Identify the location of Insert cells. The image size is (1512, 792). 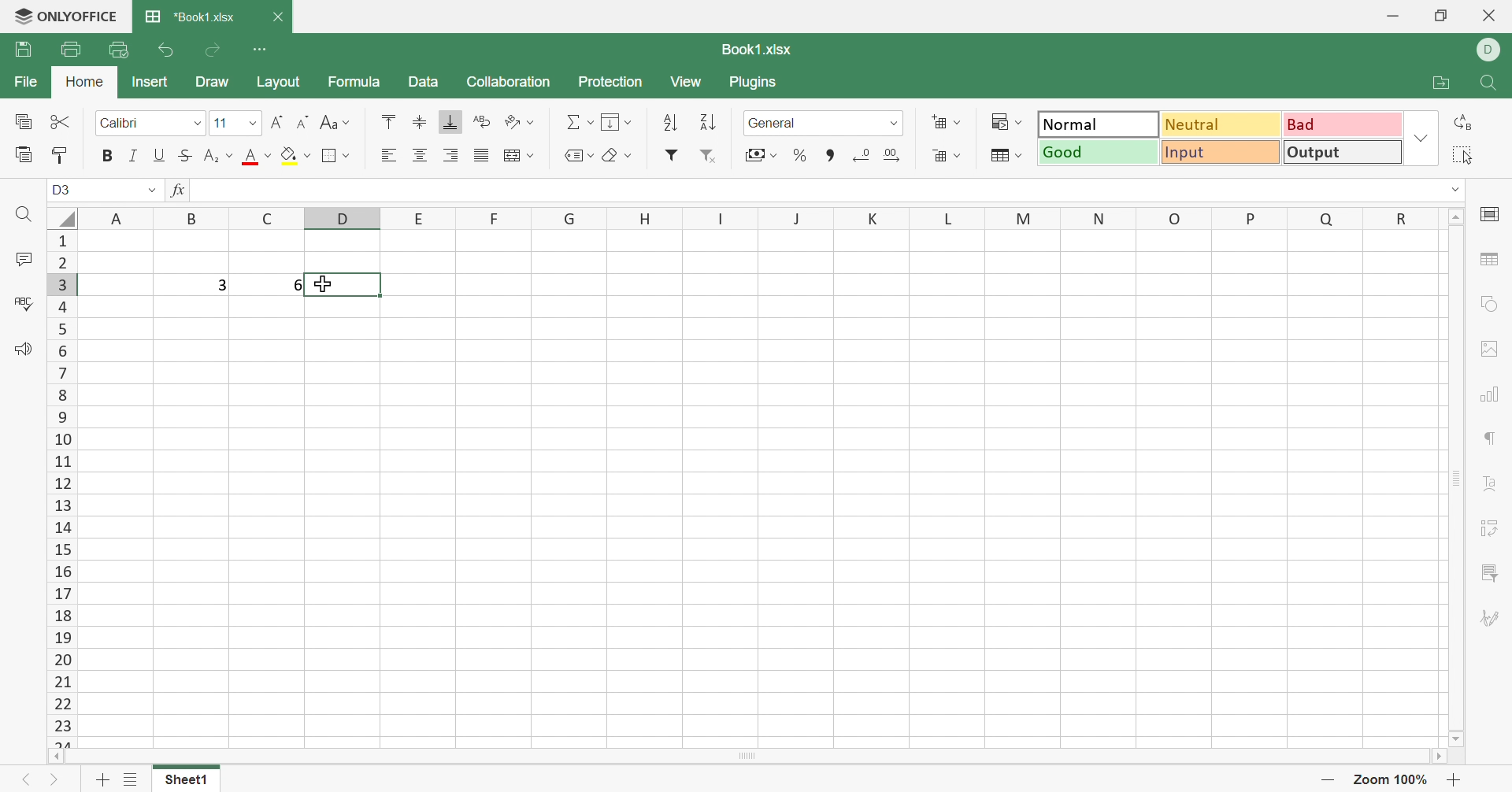
(949, 121).